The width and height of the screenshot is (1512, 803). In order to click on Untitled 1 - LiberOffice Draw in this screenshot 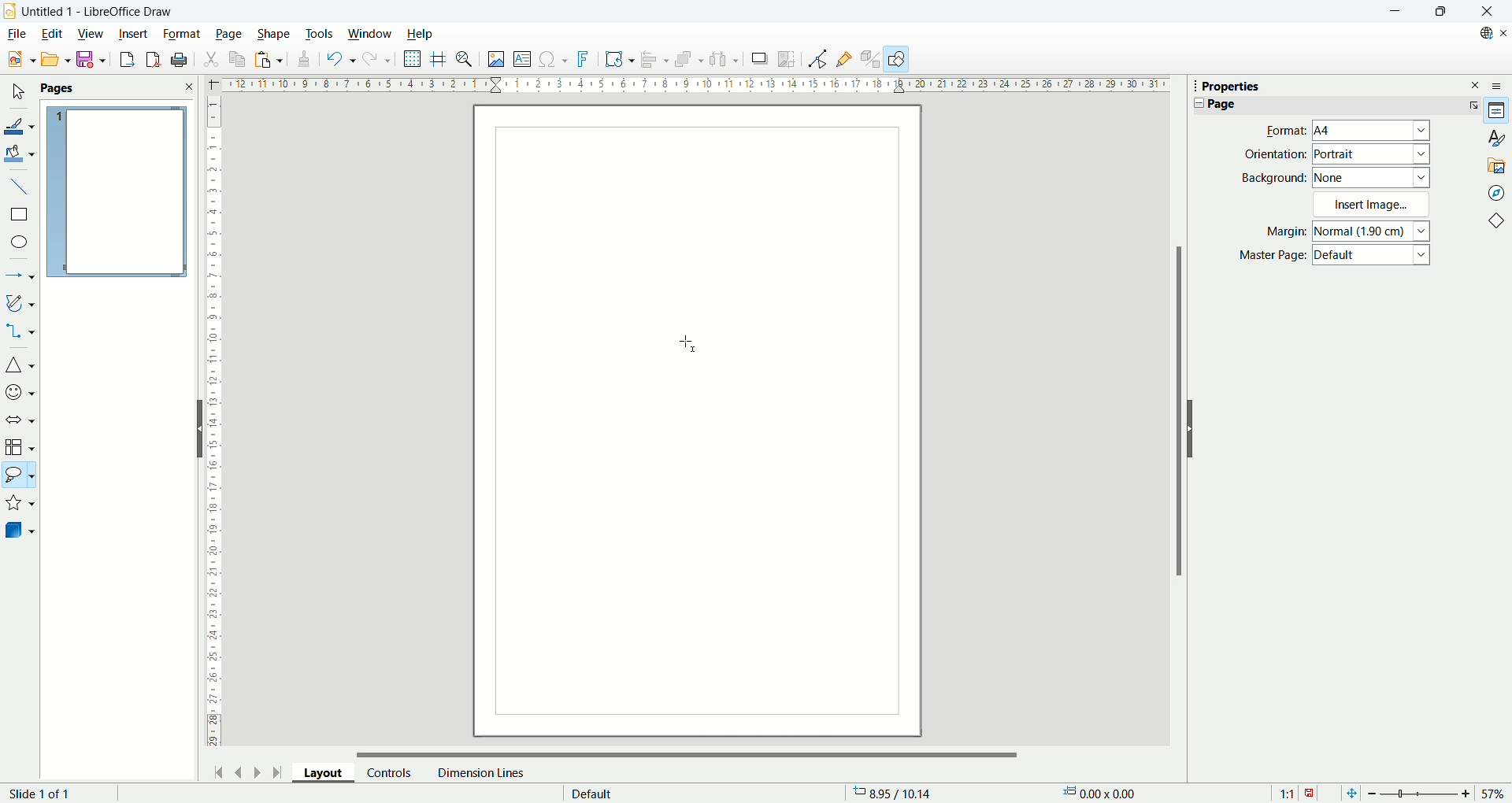, I will do `click(98, 9)`.